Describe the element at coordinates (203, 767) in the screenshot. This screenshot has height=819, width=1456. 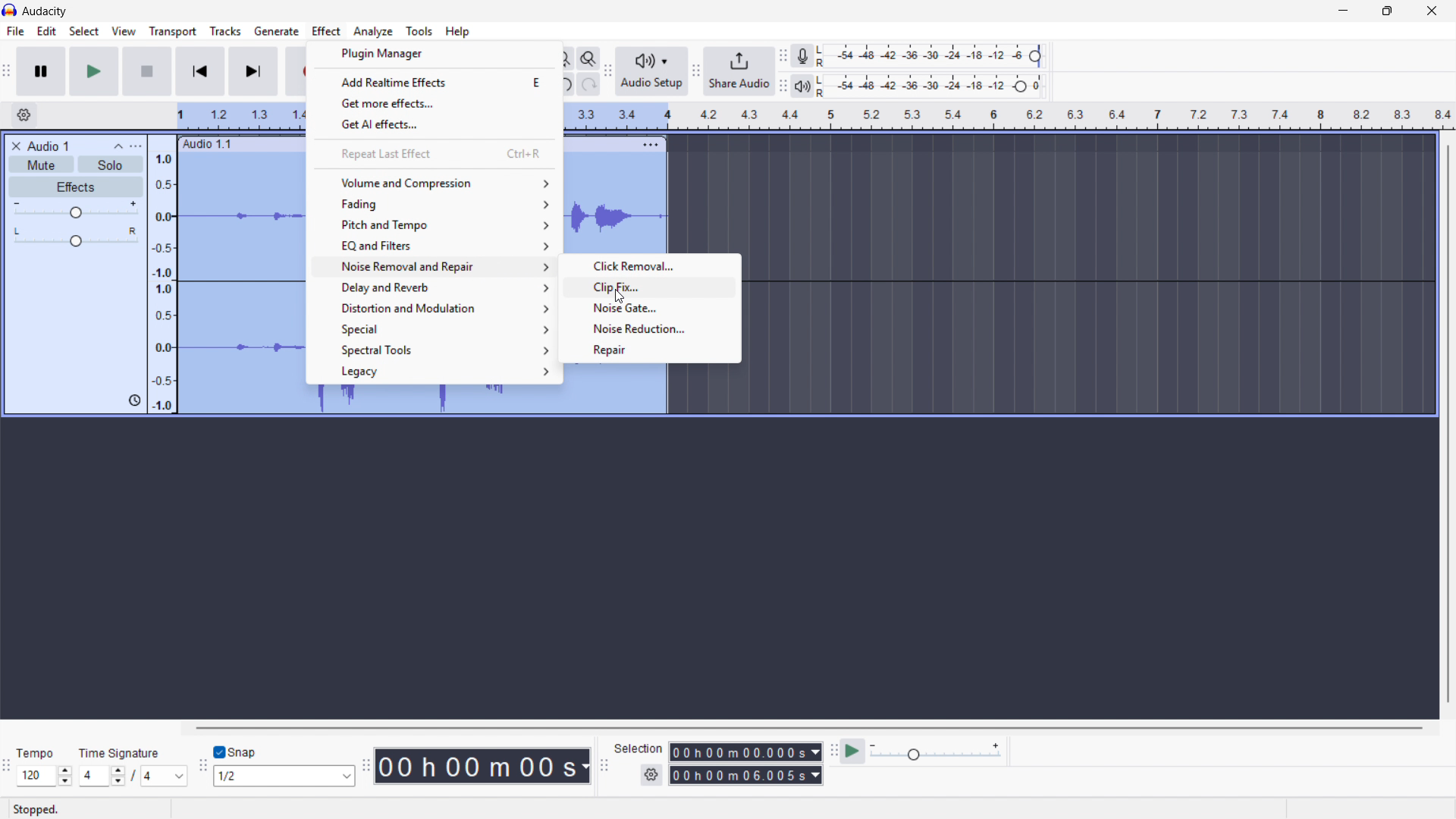
I see `Snapping toolbar` at that location.